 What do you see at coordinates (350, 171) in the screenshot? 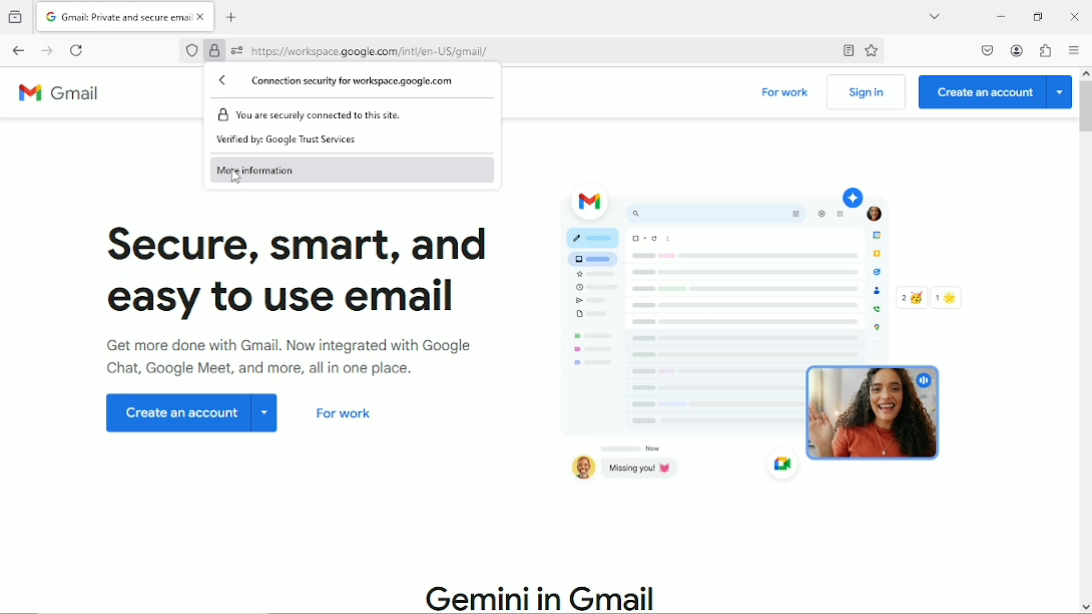
I see `More information` at bounding box center [350, 171].